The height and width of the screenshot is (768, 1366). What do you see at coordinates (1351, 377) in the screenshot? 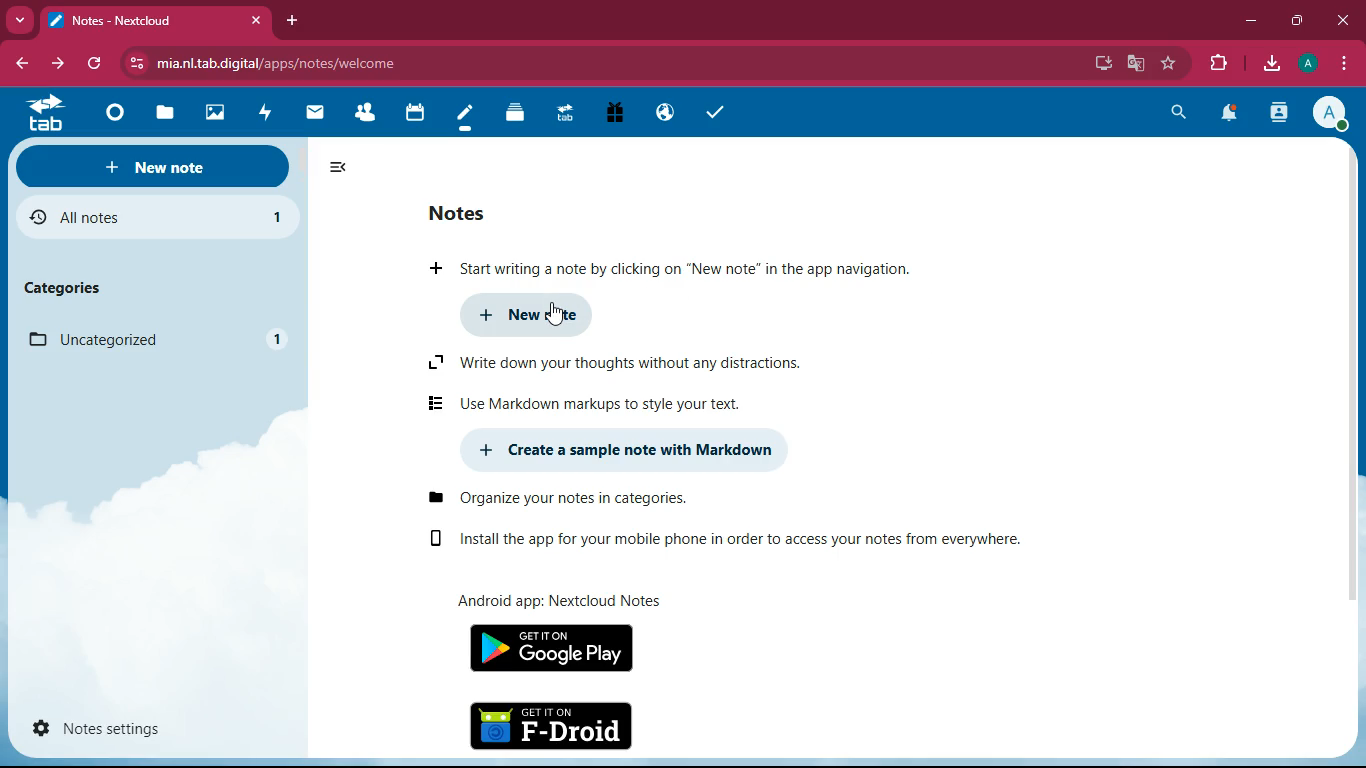
I see `scroll bar` at bounding box center [1351, 377].